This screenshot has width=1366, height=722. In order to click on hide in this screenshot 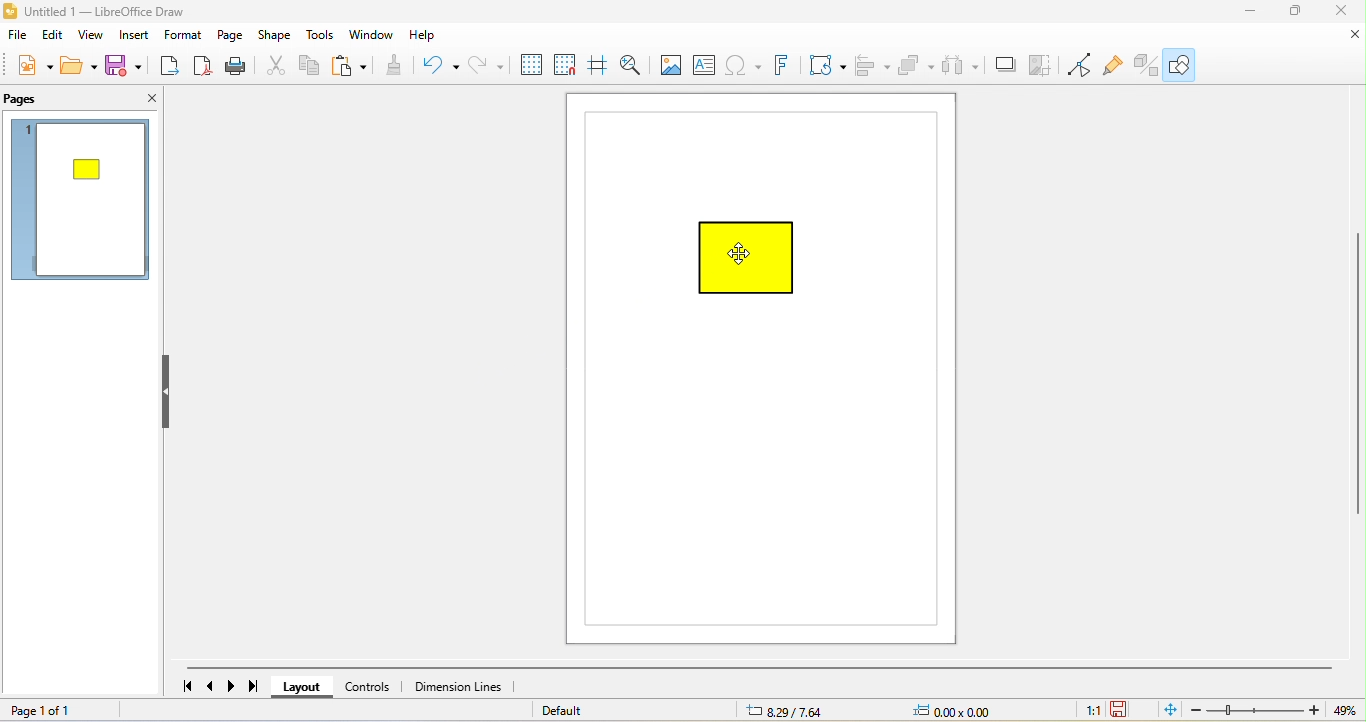, I will do `click(168, 394)`.